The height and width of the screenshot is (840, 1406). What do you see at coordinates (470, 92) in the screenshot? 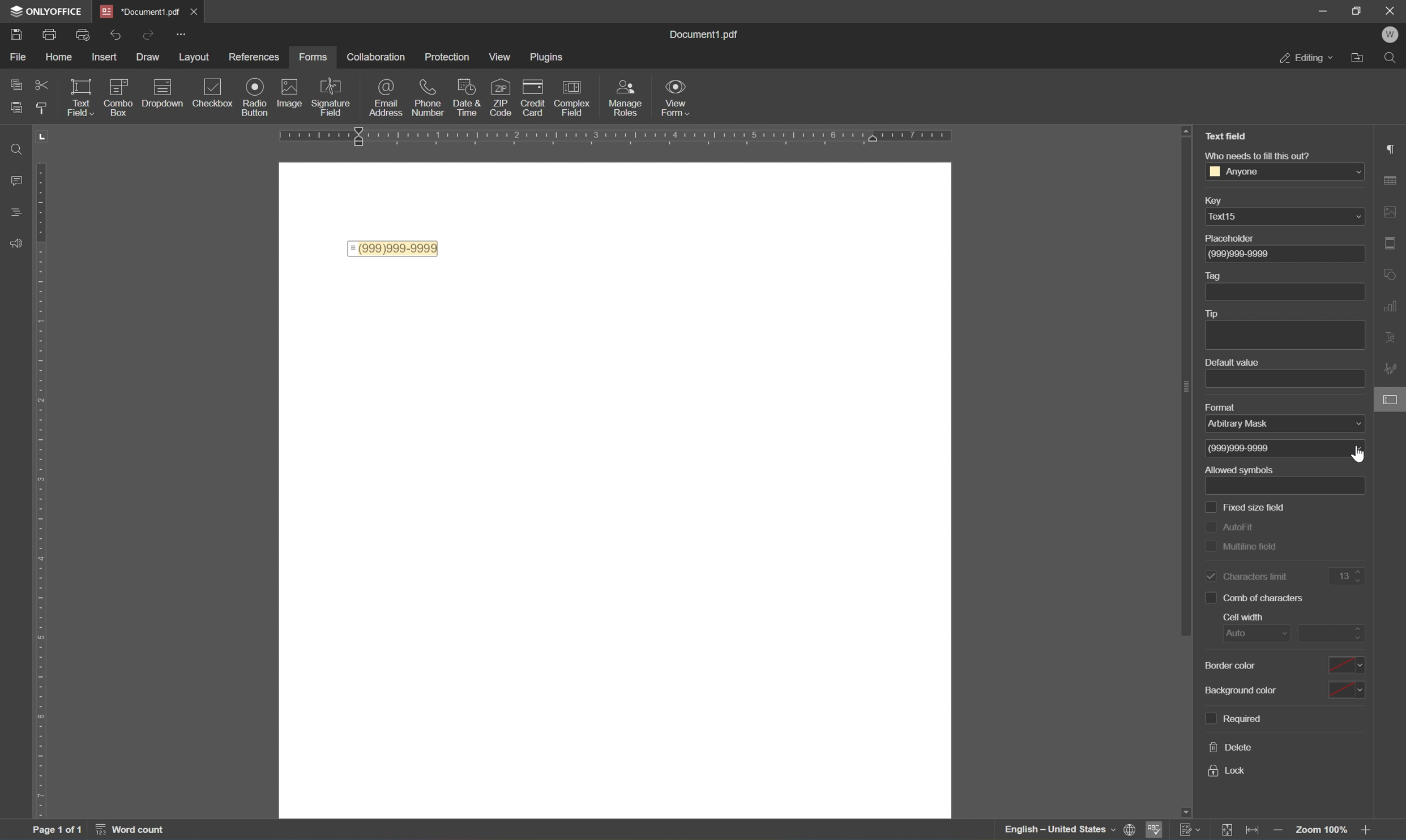
I see `icon` at bounding box center [470, 92].